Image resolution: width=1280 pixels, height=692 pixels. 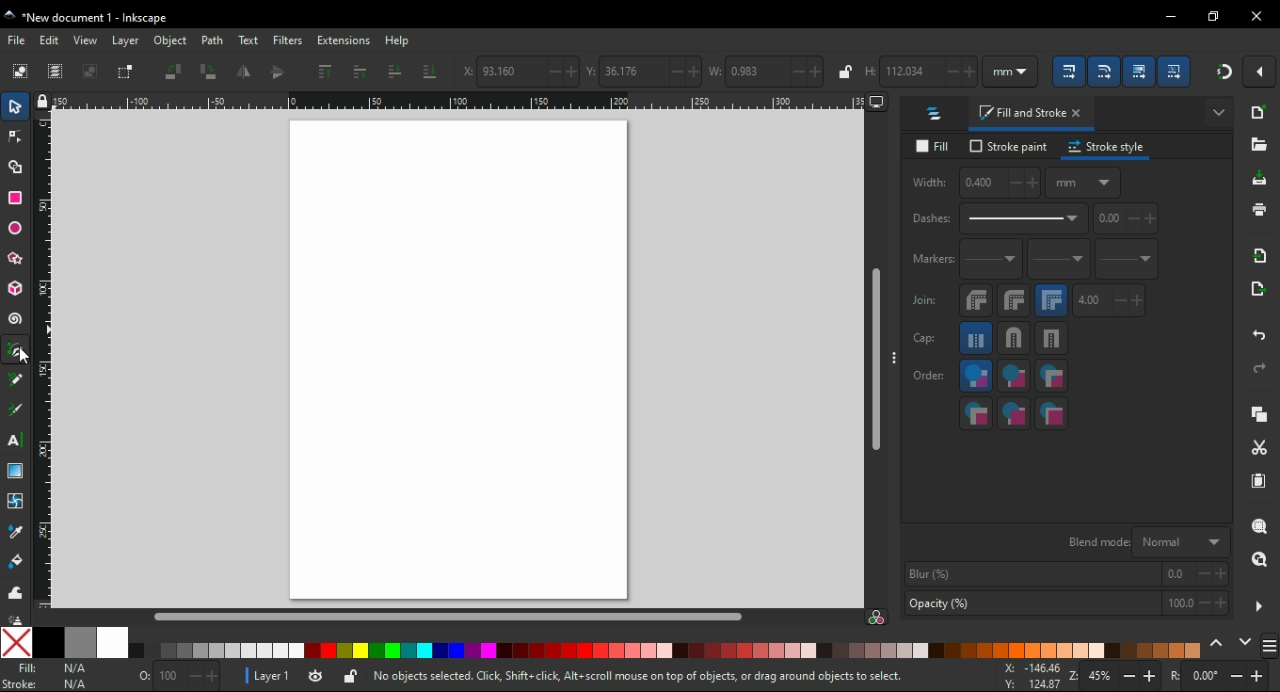 What do you see at coordinates (1013, 338) in the screenshot?
I see `round` at bounding box center [1013, 338].